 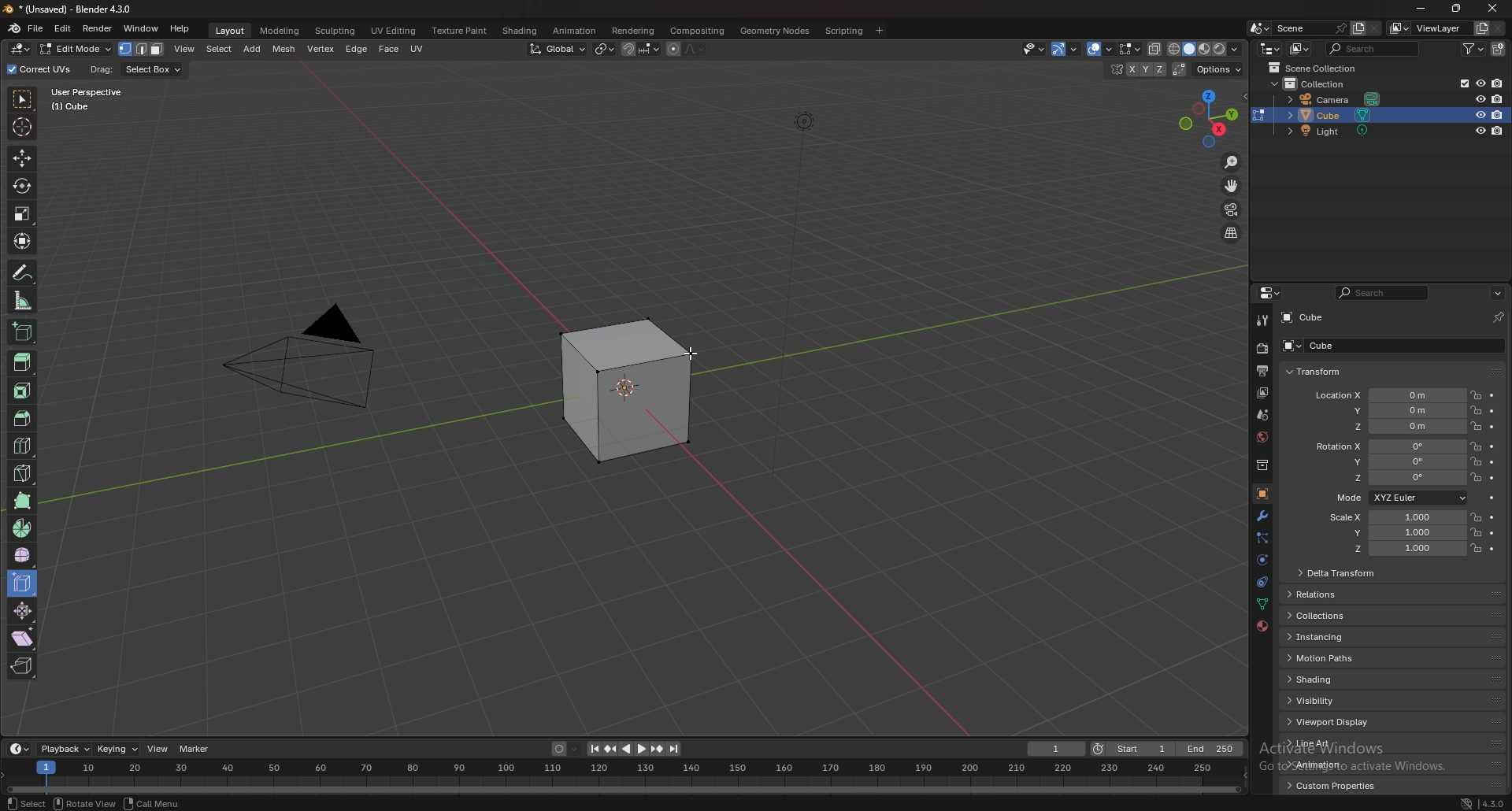 I want to click on geometry nodes, so click(x=774, y=31).